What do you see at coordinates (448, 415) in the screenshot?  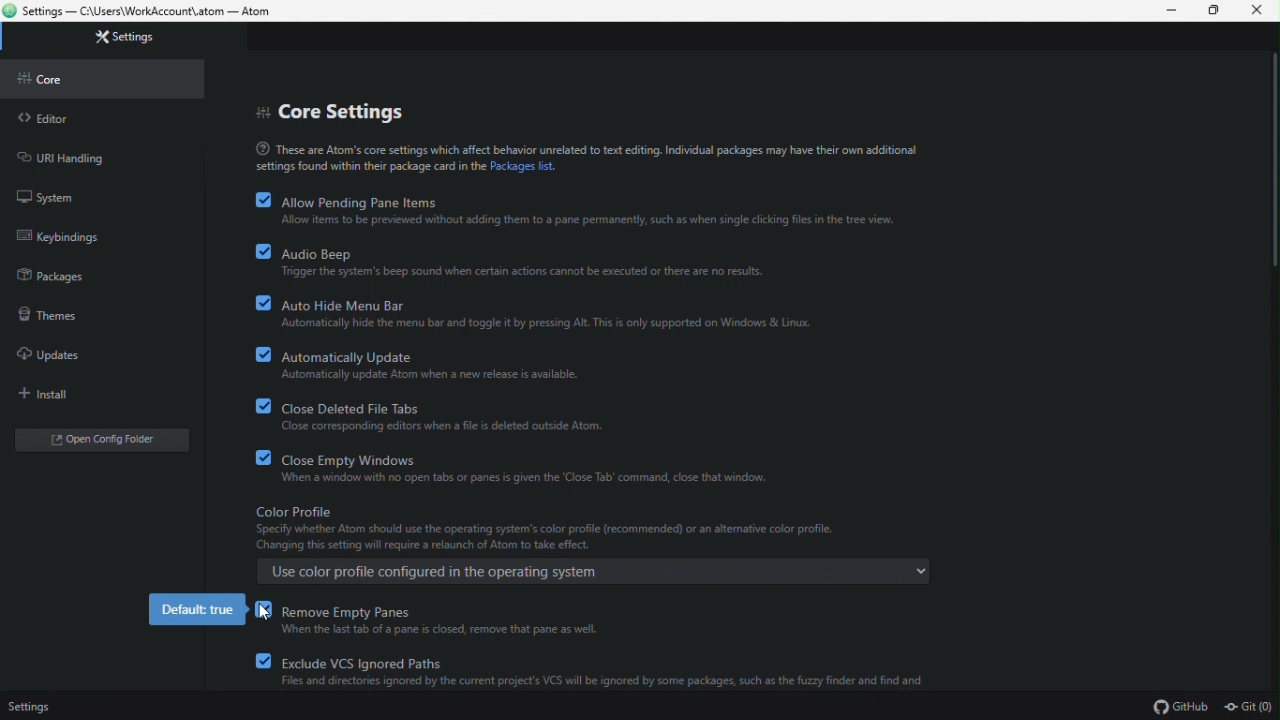 I see `close deleted file tabs` at bounding box center [448, 415].